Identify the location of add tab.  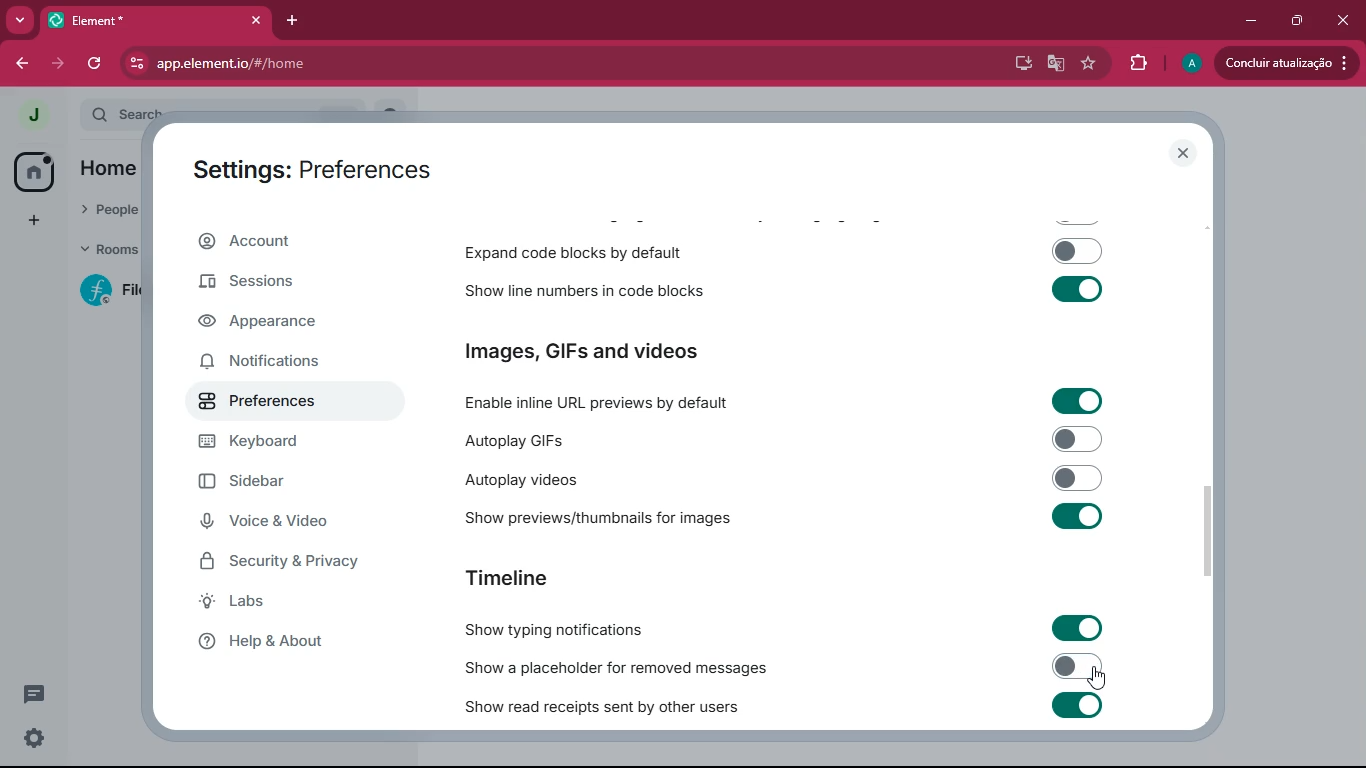
(292, 21).